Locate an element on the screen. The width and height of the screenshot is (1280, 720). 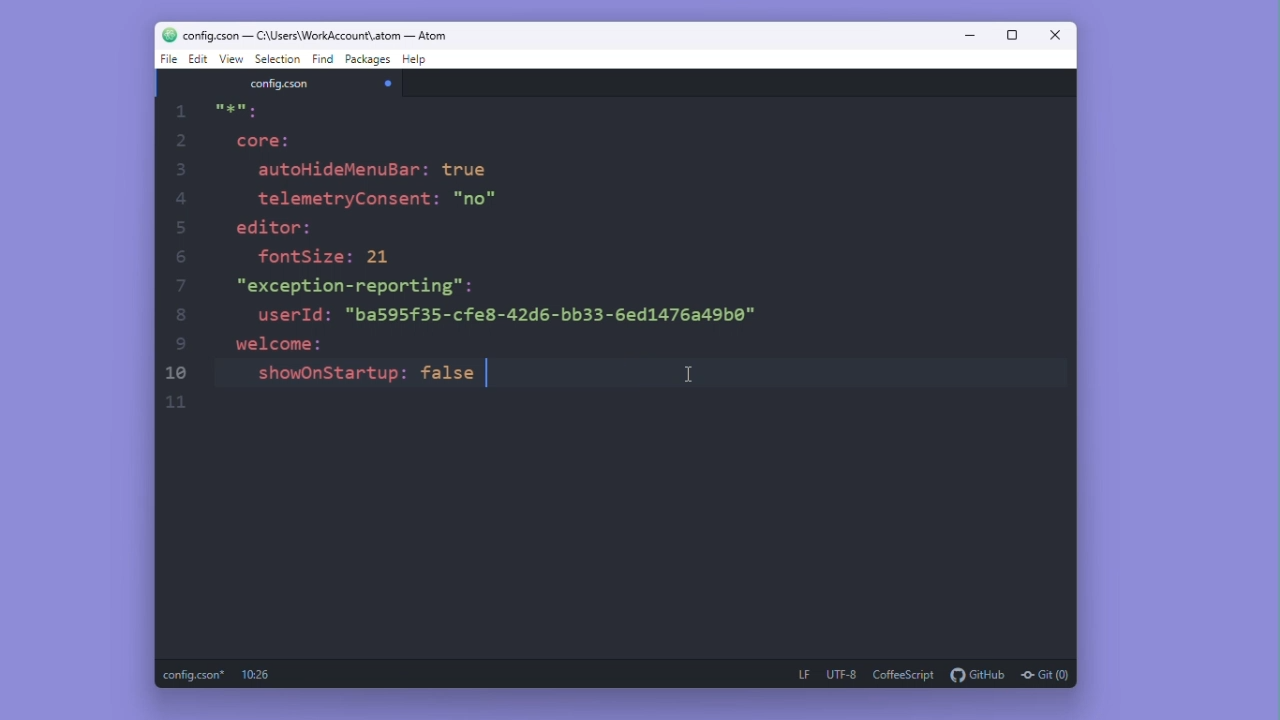
logo is located at coordinates (159, 35).